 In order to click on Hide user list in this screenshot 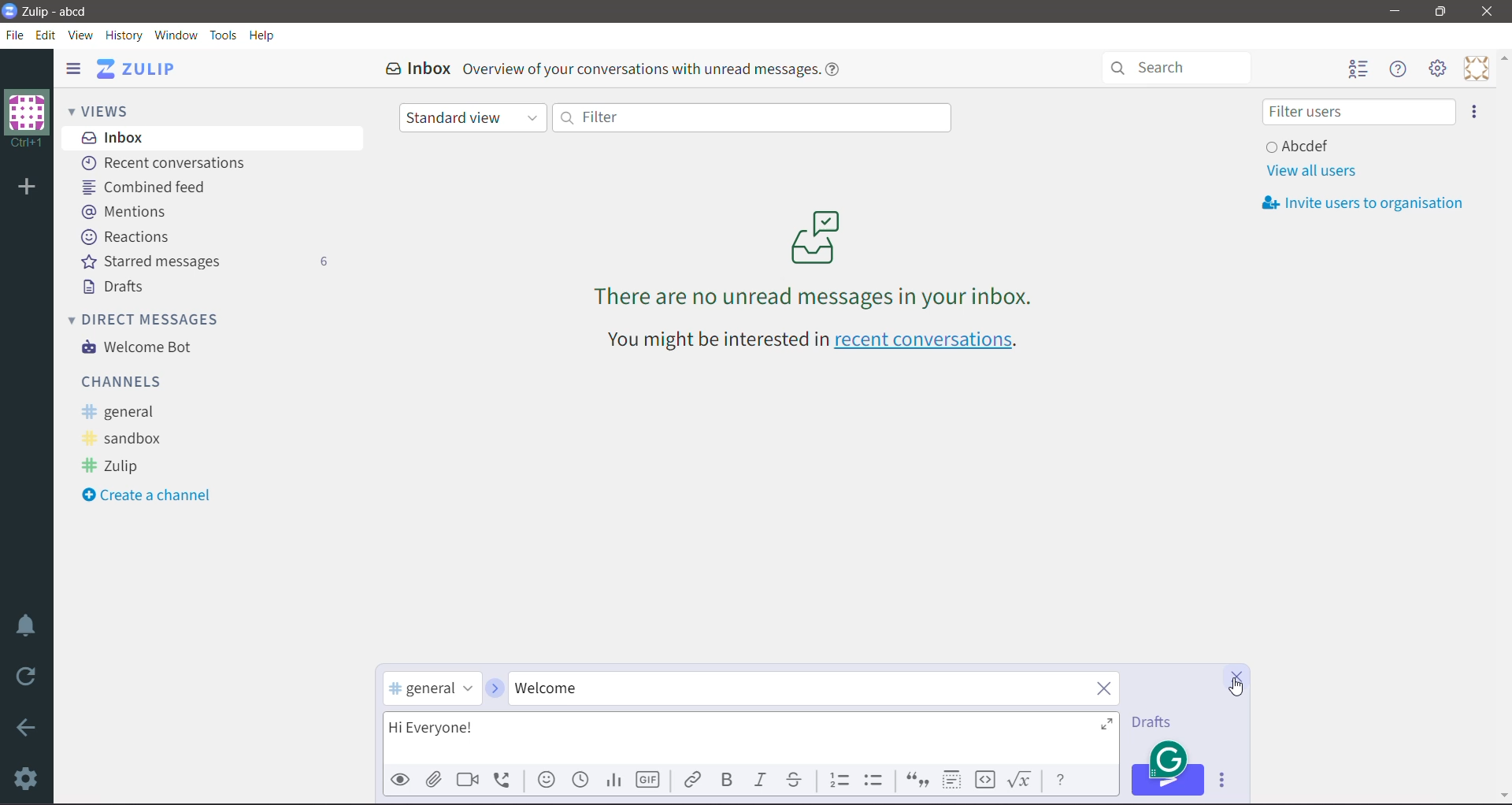, I will do `click(1357, 70)`.